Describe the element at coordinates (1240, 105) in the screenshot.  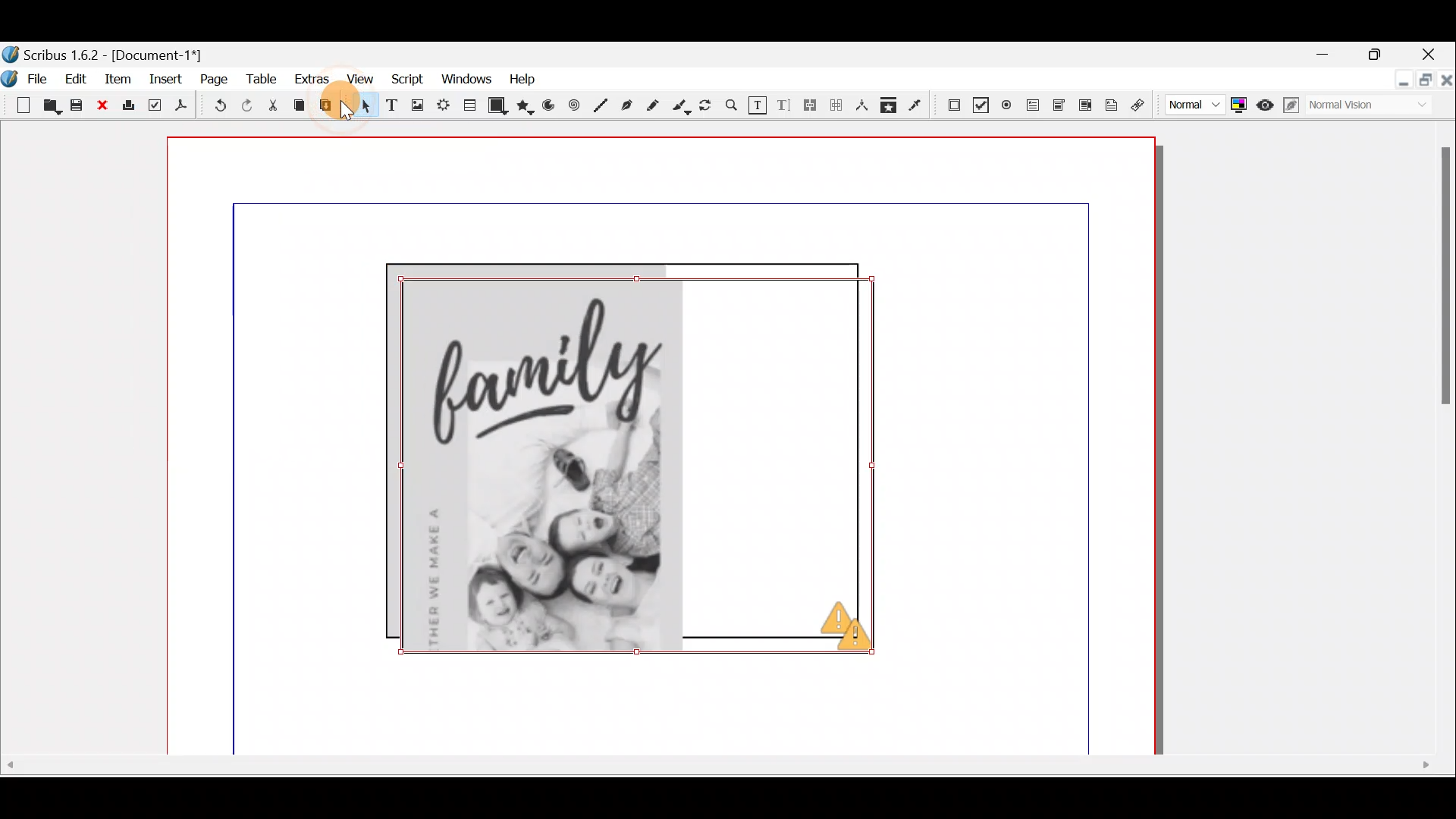
I see `Toggle colour management system` at that location.